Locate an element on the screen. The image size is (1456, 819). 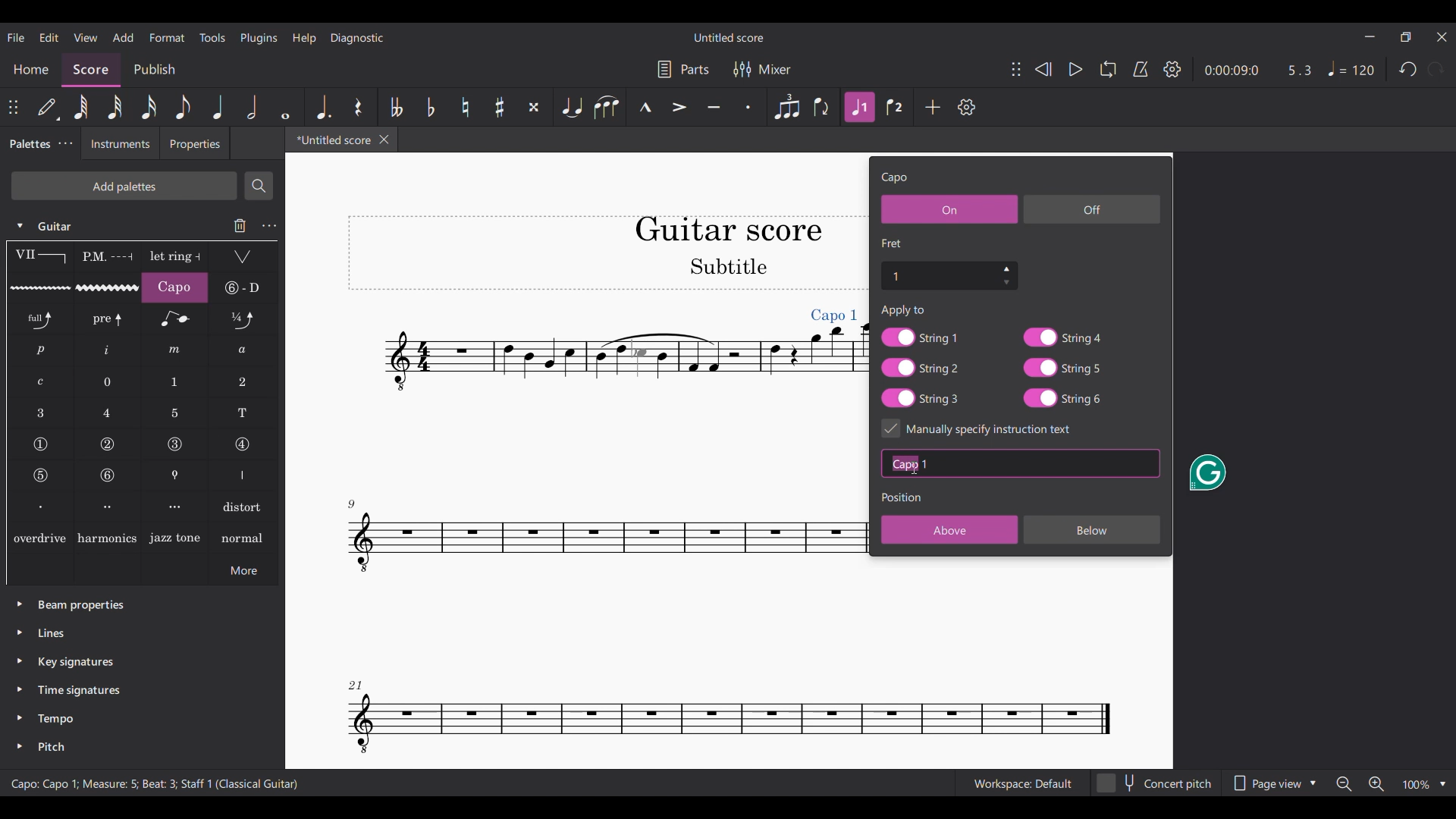
Below is located at coordinates (1093, 529).